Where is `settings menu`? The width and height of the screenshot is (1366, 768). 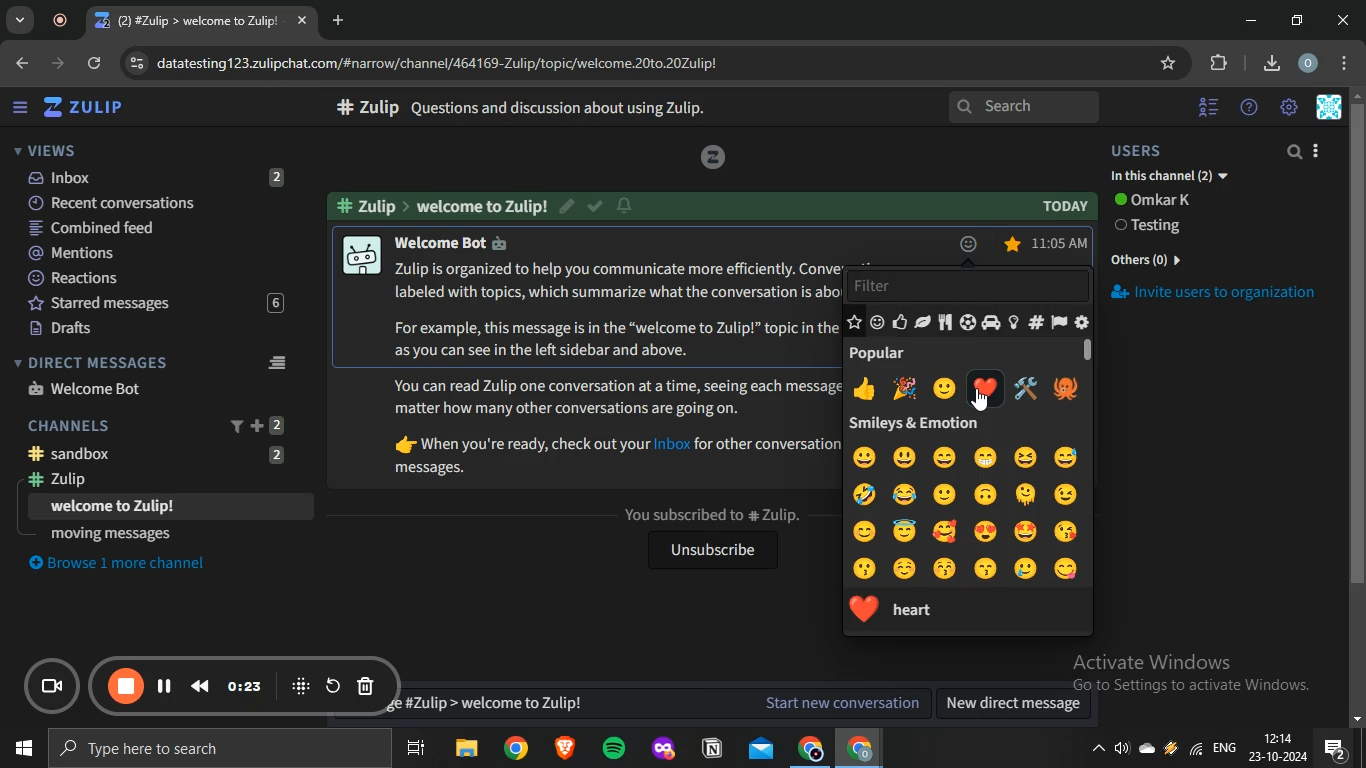 settings menu is located at coordinates (1348, 64).